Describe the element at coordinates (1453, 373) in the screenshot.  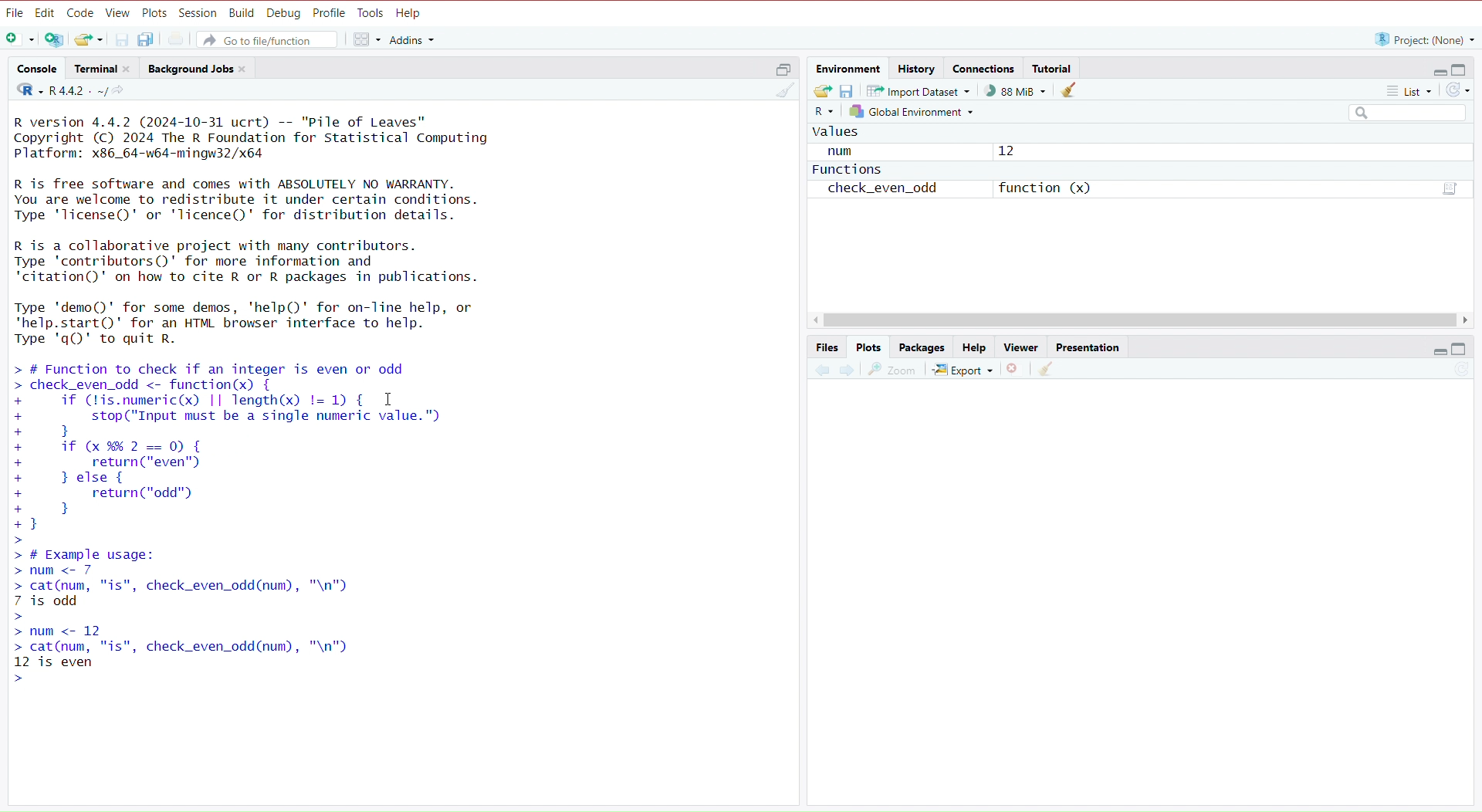
I see `refresh current plot` at that location.